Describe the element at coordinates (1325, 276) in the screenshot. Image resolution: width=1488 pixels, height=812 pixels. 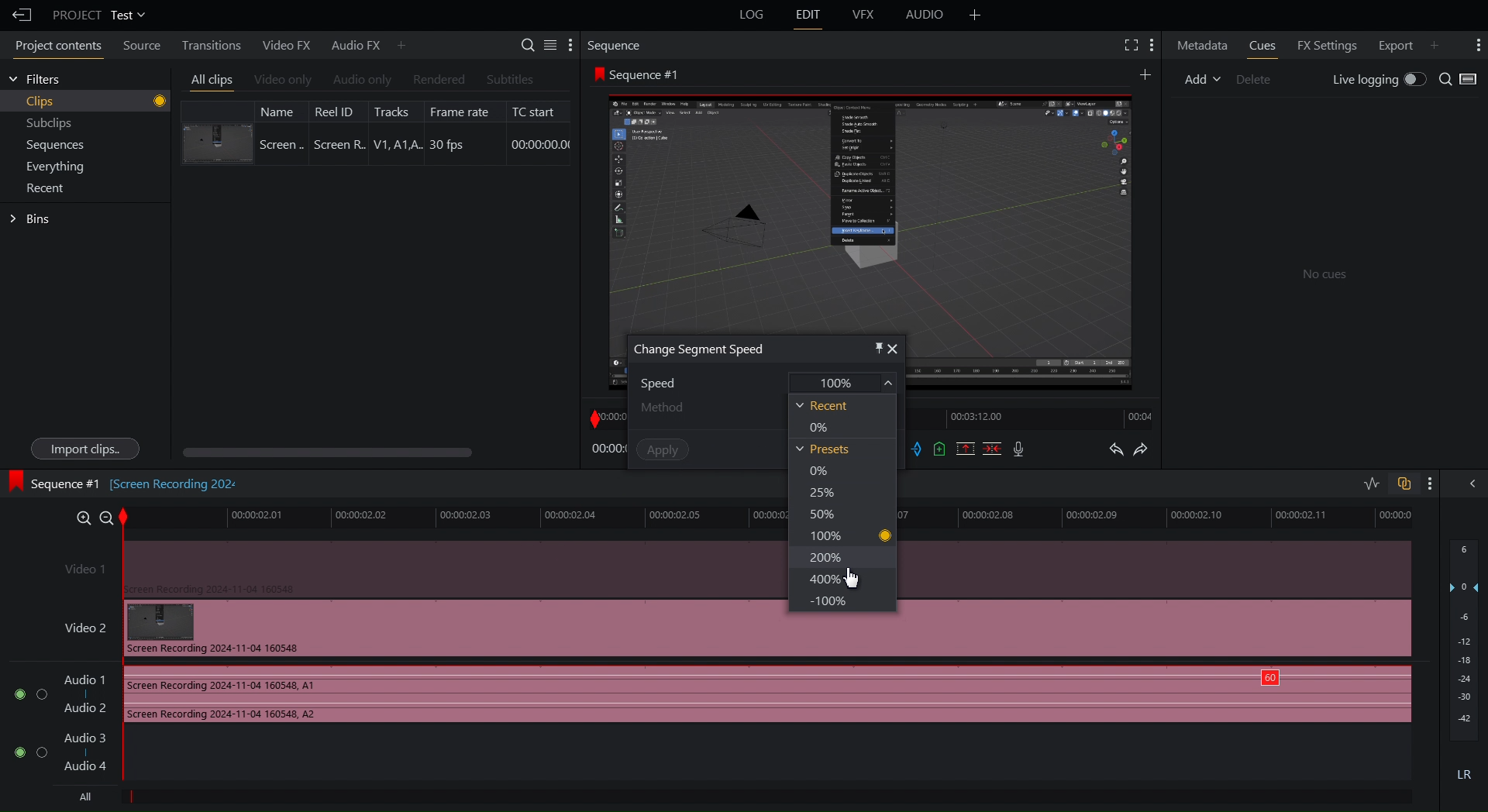
I see `No cues` at that location.